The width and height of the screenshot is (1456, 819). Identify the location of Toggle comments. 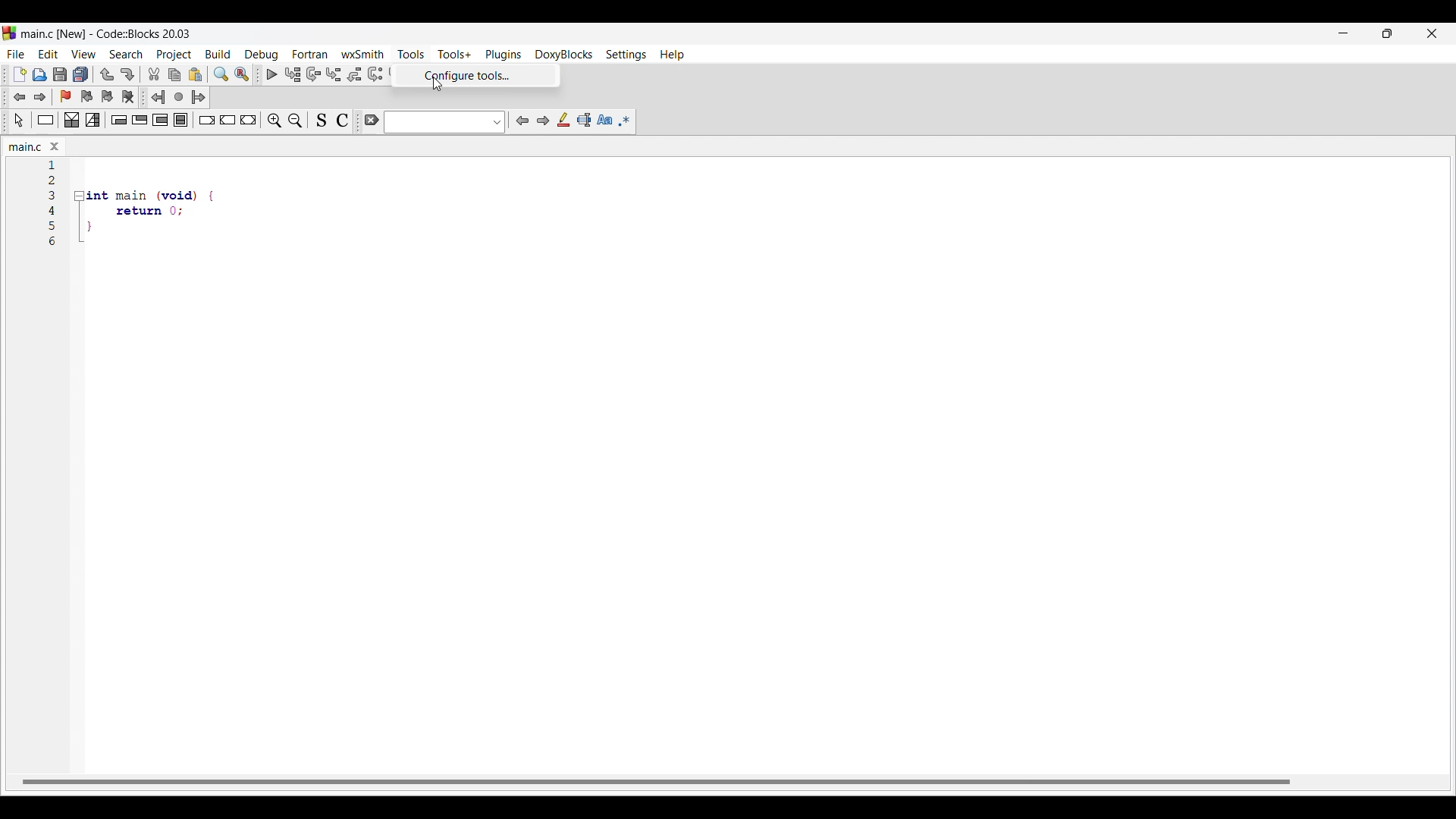
(342, 122).